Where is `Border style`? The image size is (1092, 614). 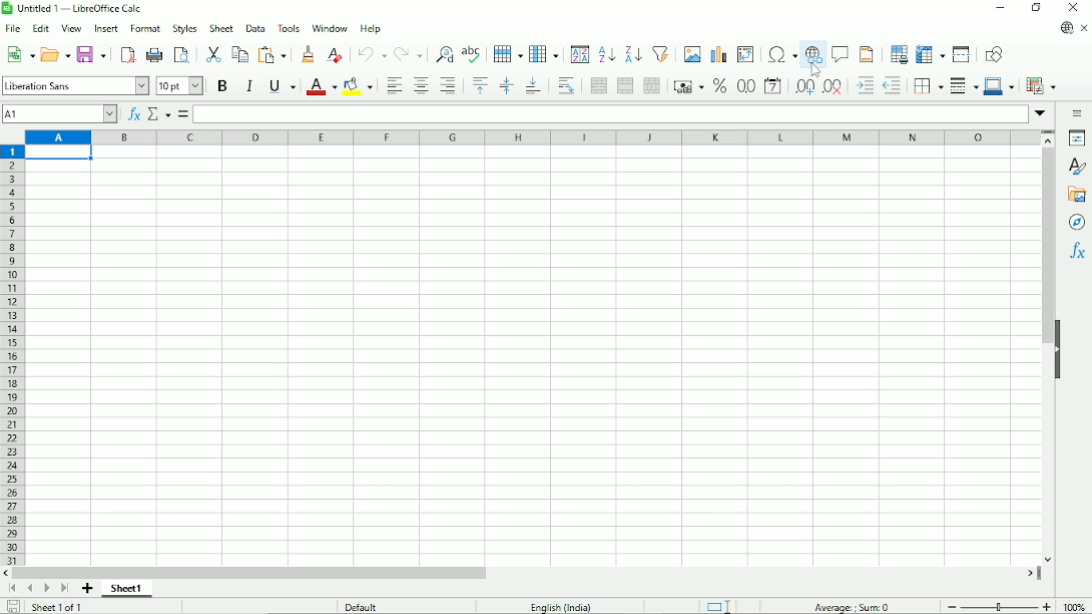
Border style is located at coordinates (964, 86).